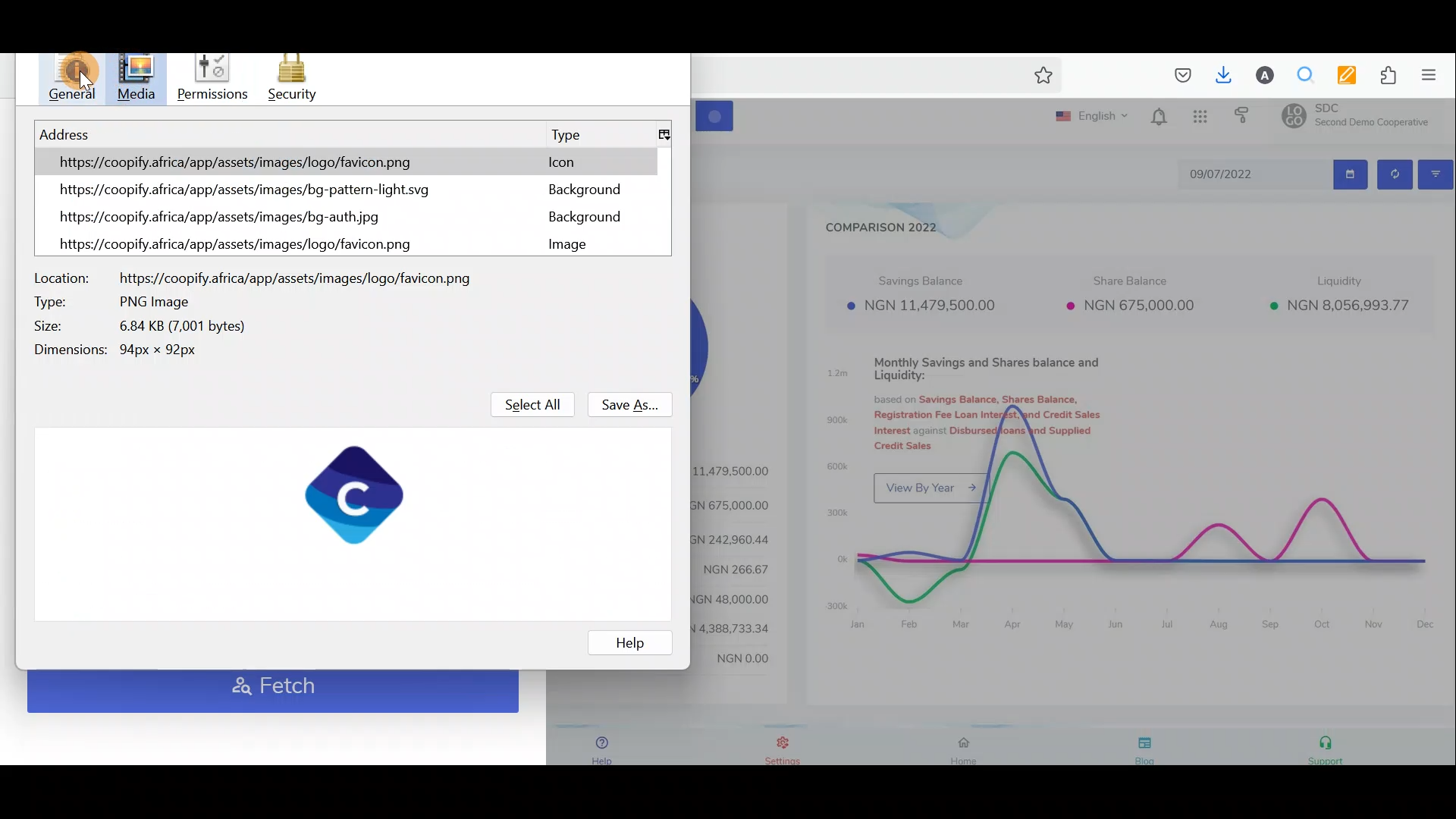  What do you see at coordinates (143, 328) in the screenshot?
I see `Size` at bounding box center [143, 328].